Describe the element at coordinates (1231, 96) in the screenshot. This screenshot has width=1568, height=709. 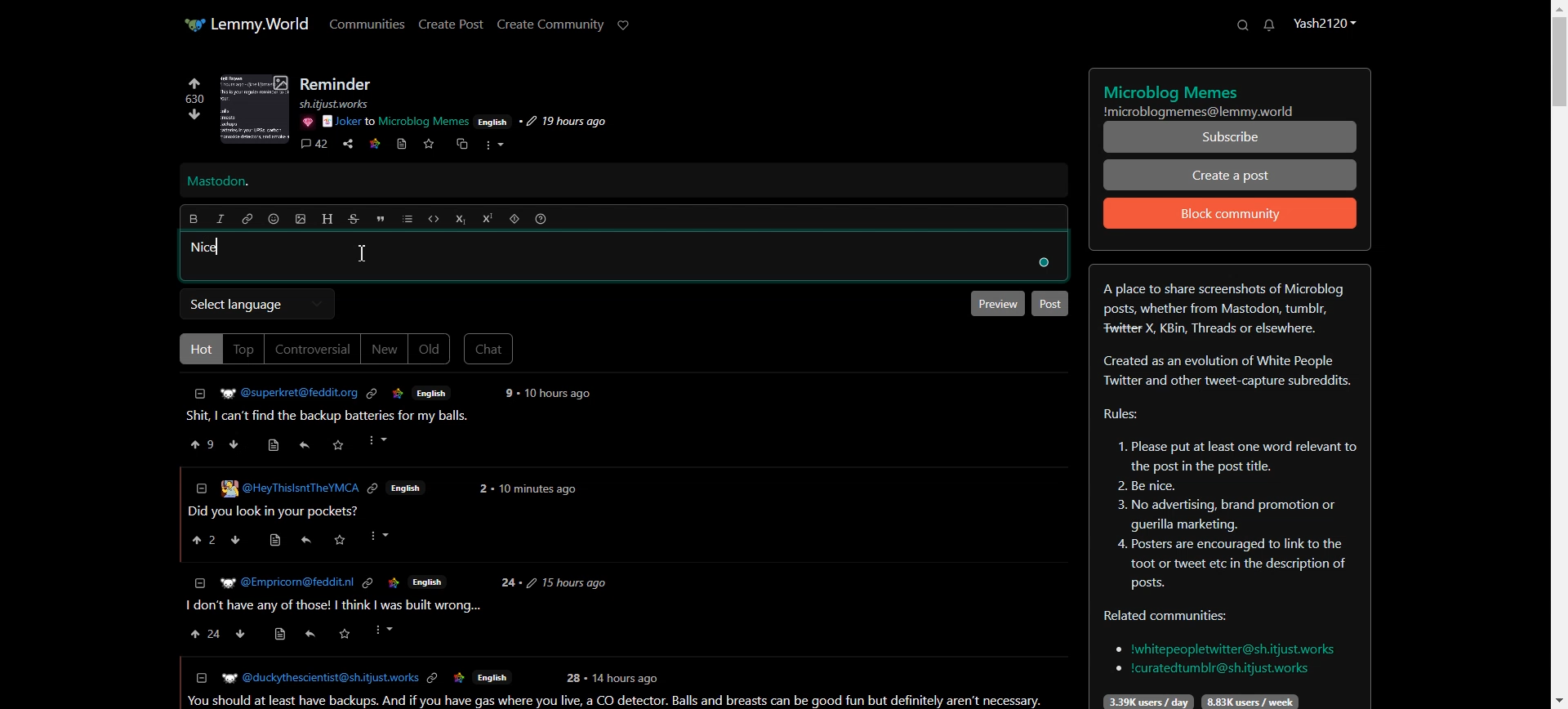
I see `Text` at that location.